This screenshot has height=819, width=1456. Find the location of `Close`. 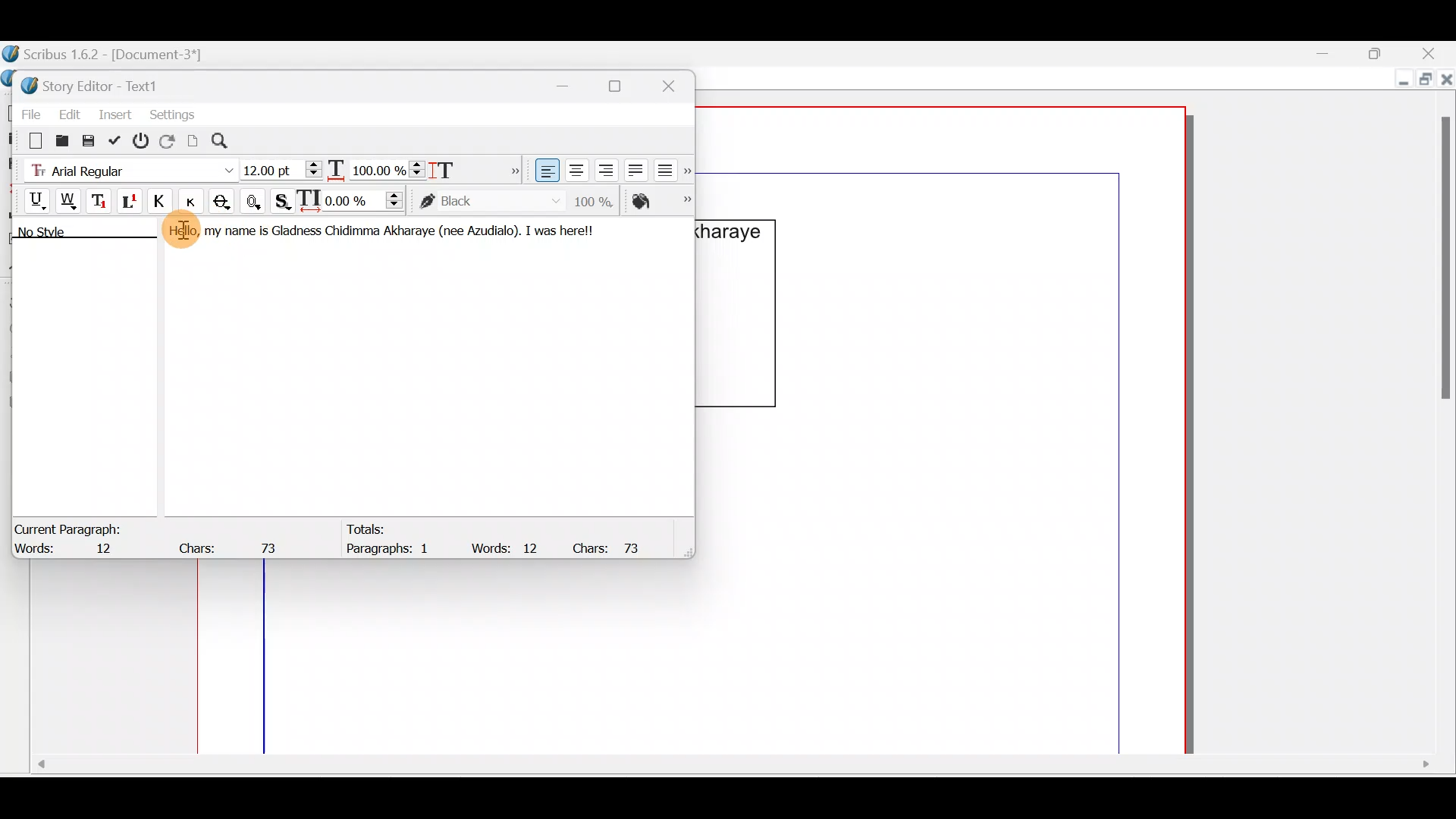

Close is located at coordinates (1433, 53).